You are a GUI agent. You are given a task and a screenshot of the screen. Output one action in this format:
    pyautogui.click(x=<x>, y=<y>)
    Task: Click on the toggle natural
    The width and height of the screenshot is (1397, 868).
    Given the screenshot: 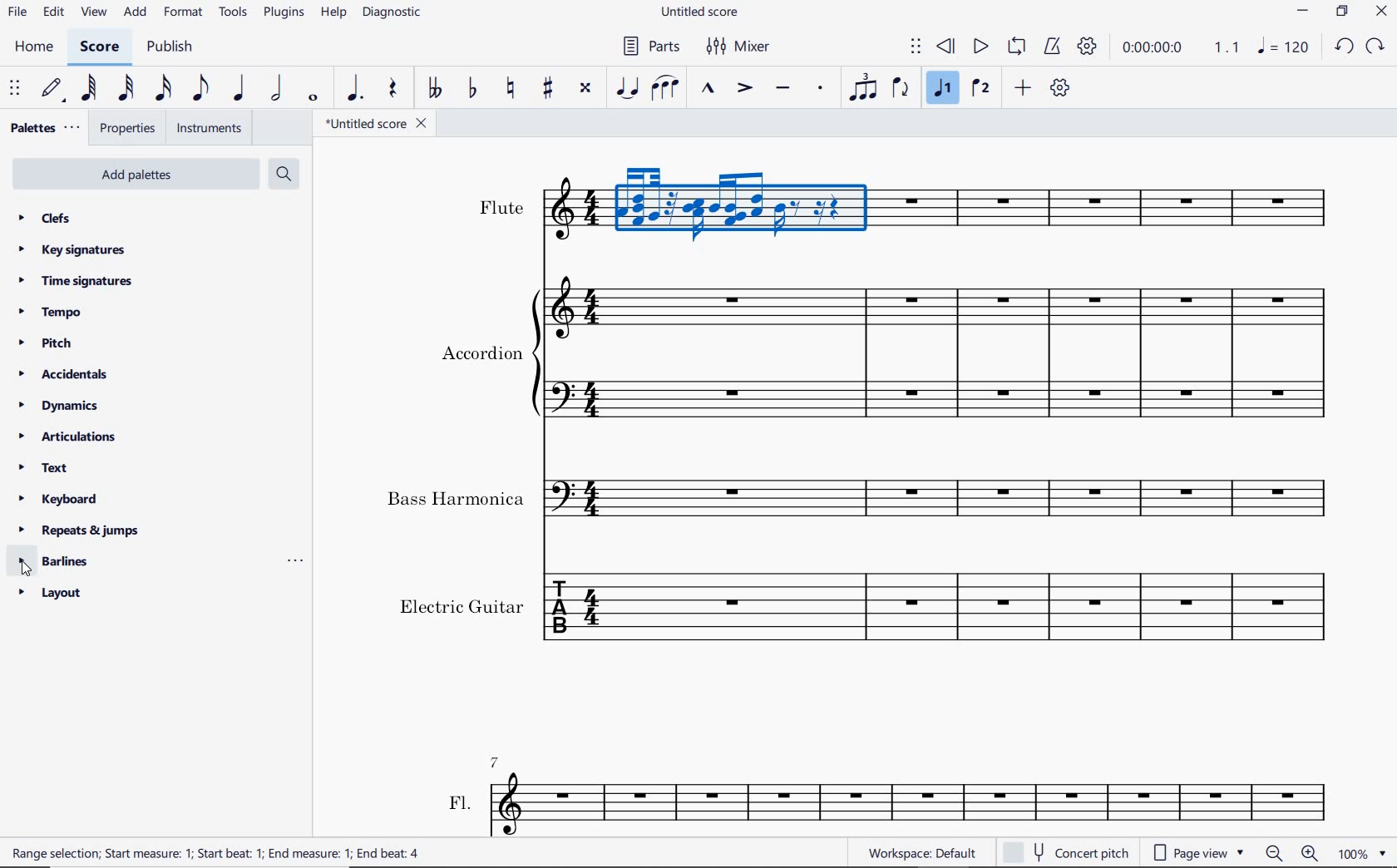 What is the action you would take?
    pyautogui.click(x=513, y=89)
    